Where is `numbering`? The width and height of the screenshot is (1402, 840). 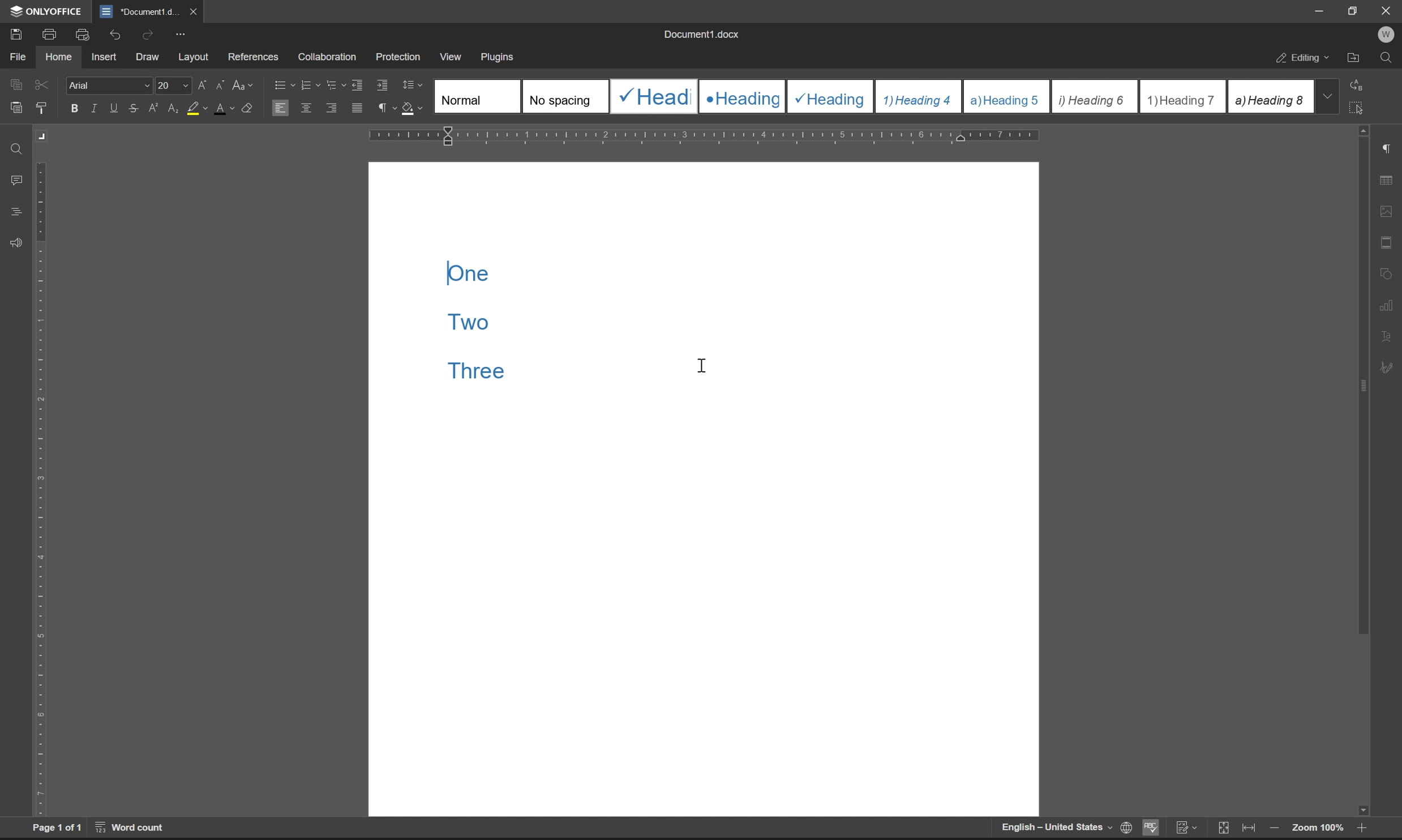
numbering is located at coordinates (310, 85).